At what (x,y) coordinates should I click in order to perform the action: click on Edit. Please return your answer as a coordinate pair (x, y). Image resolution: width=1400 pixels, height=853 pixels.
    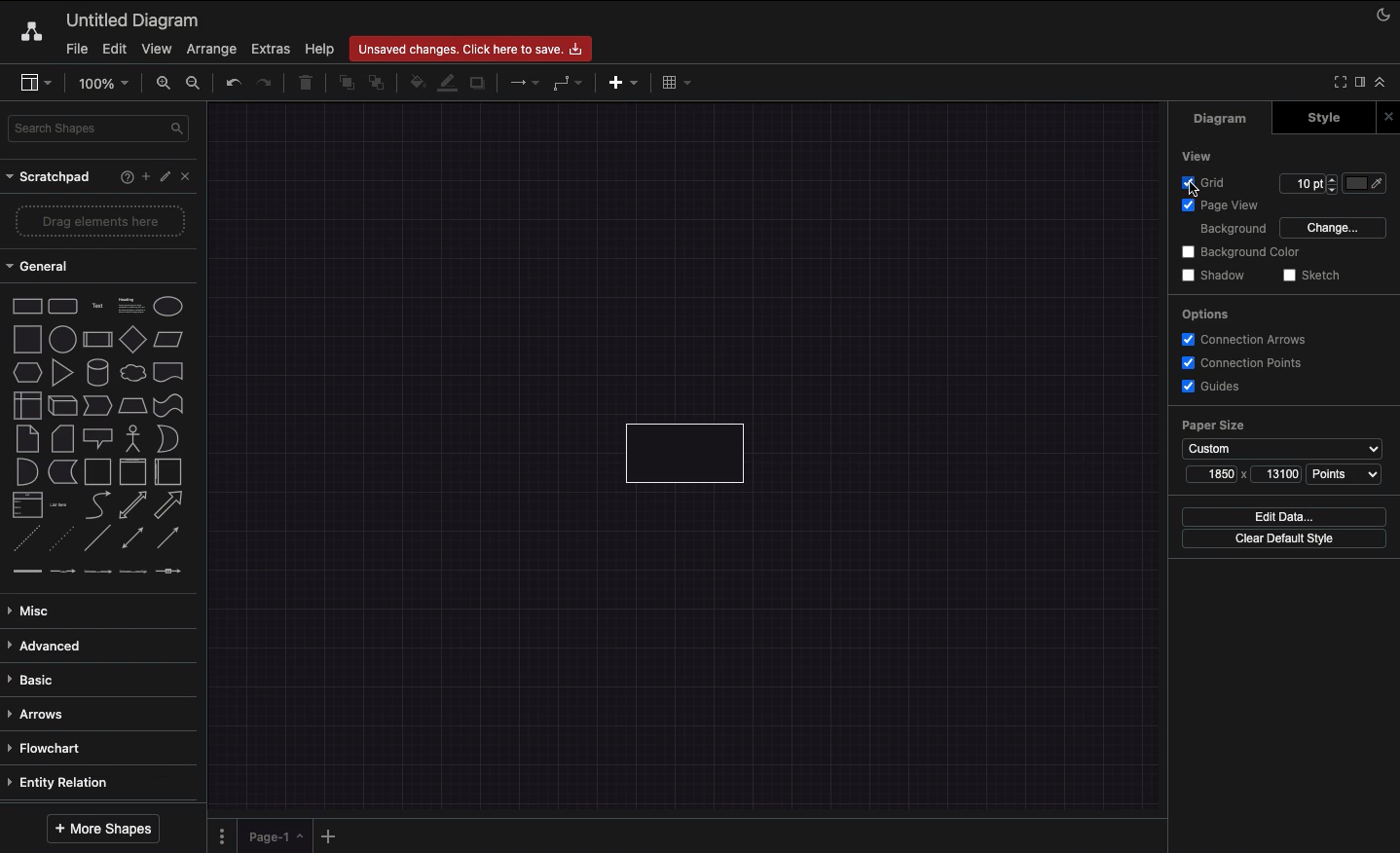
    Looking at the image, I should click on (114, 49).